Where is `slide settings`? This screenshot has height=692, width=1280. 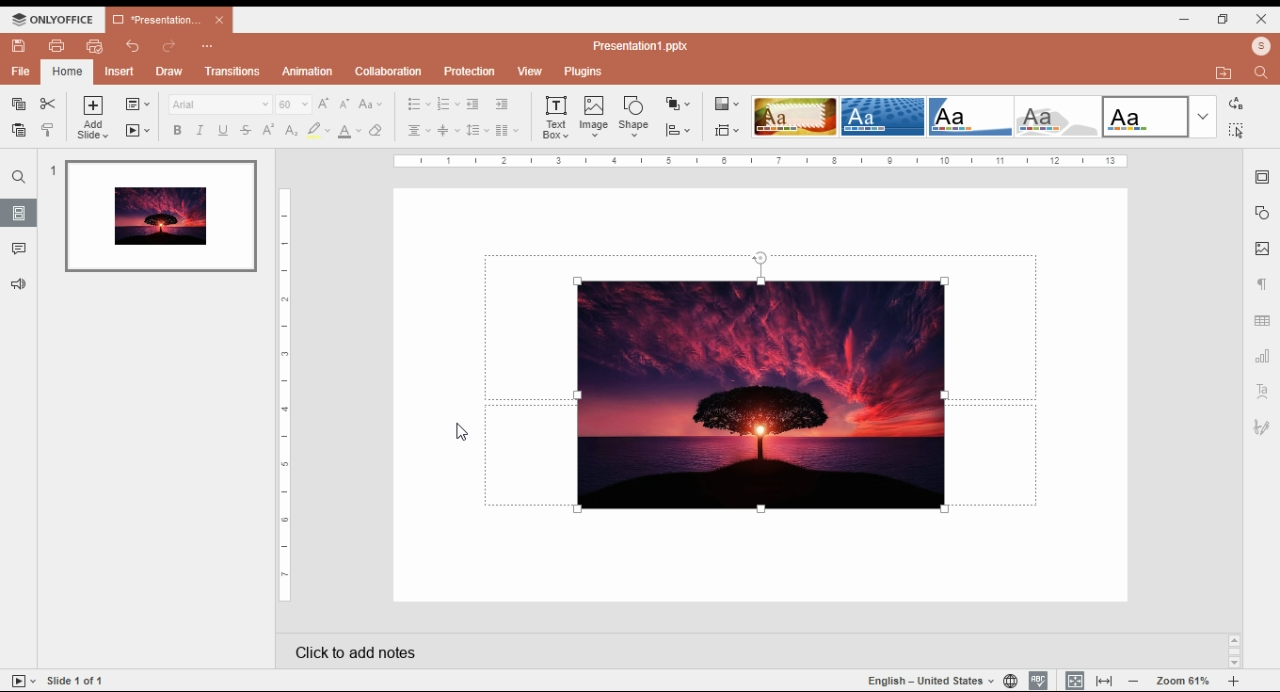 slide settings is located at coordinates (1264, 177).